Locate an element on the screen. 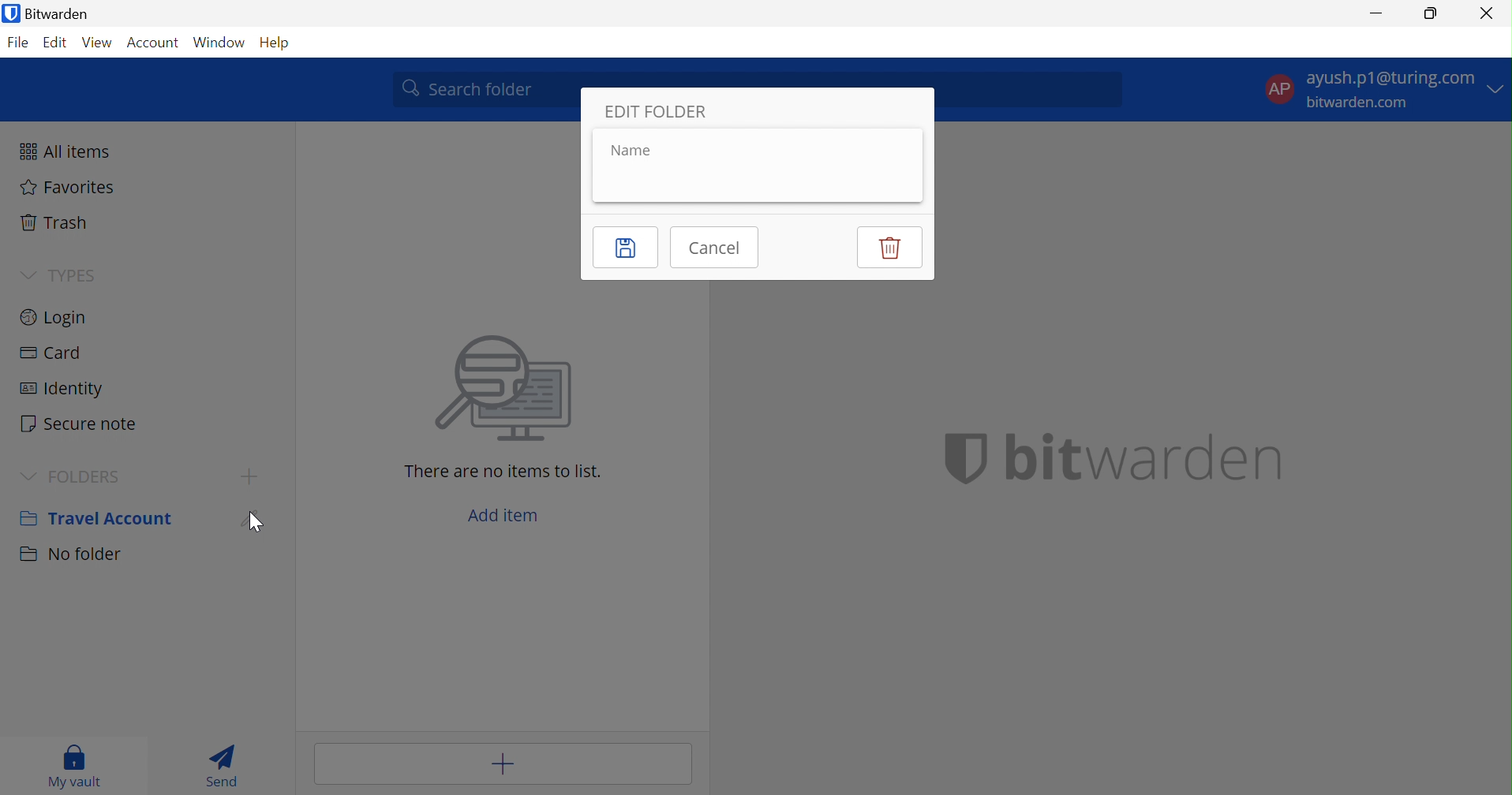 This screenshot has height=795, width=1512. searching for file image is located at coordinates (505, 390).